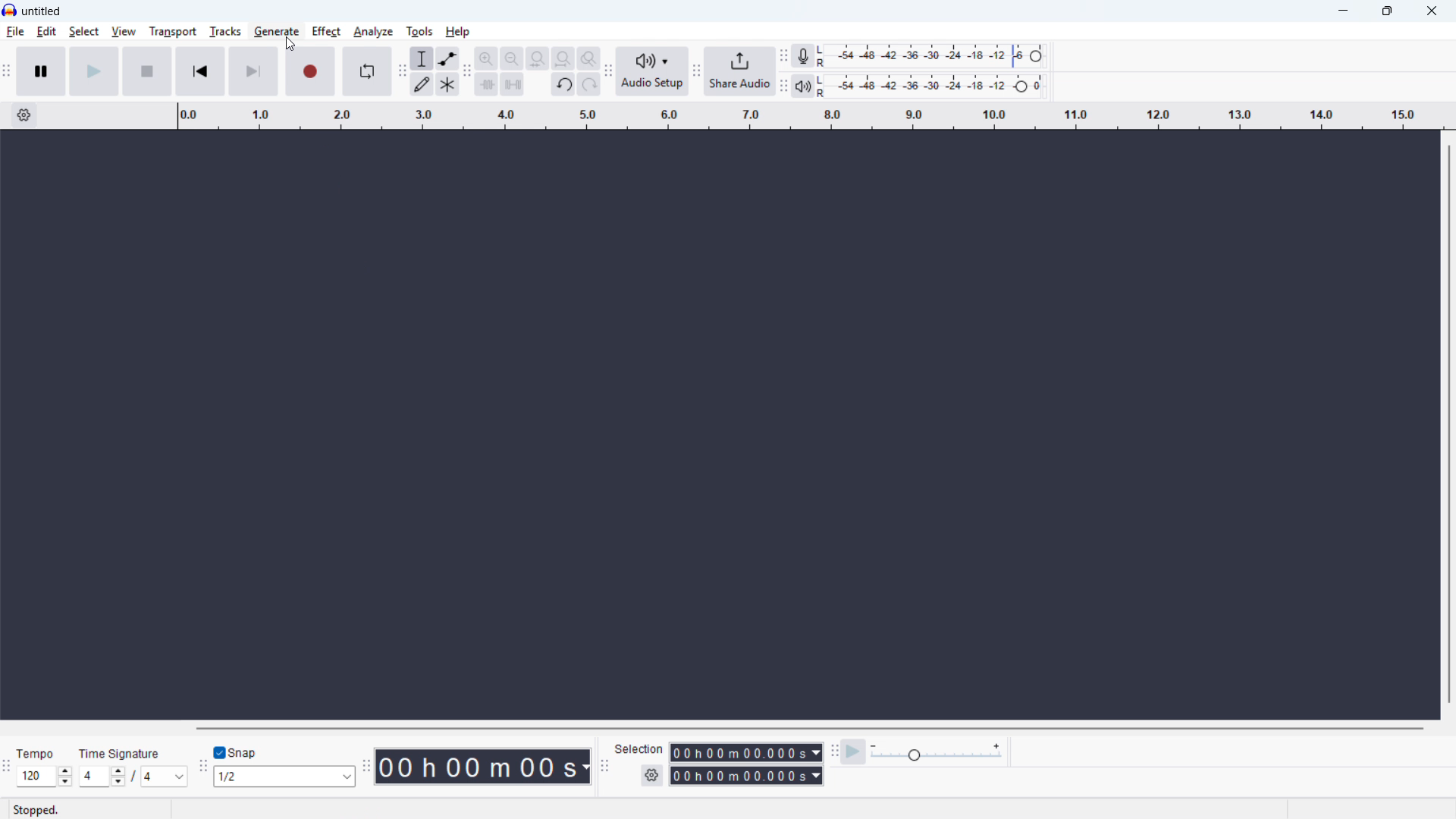  I want to click on Selection toolbar , so click(604, 764).